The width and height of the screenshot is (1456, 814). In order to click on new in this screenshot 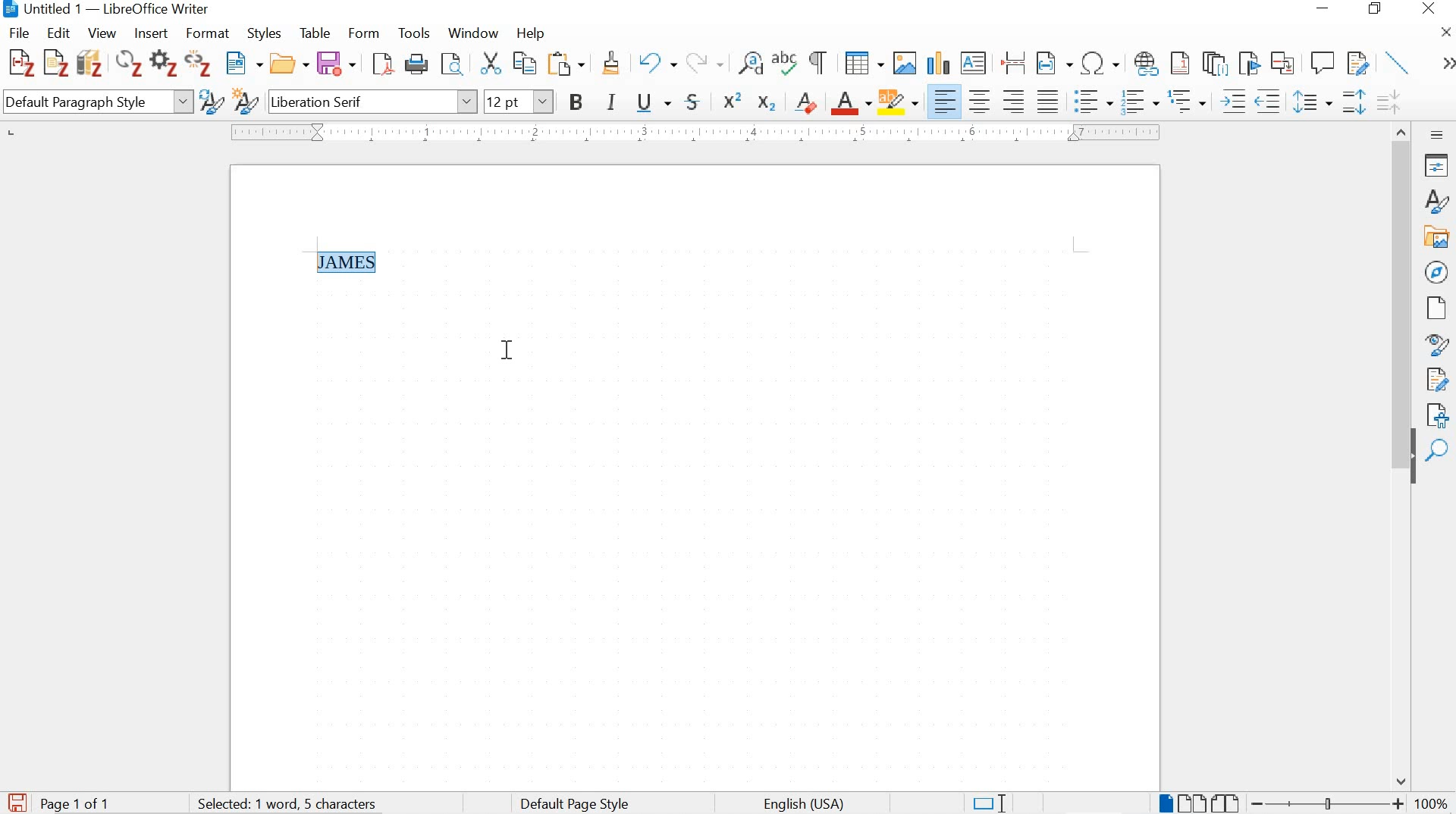, I will do `click(245, 64)`.